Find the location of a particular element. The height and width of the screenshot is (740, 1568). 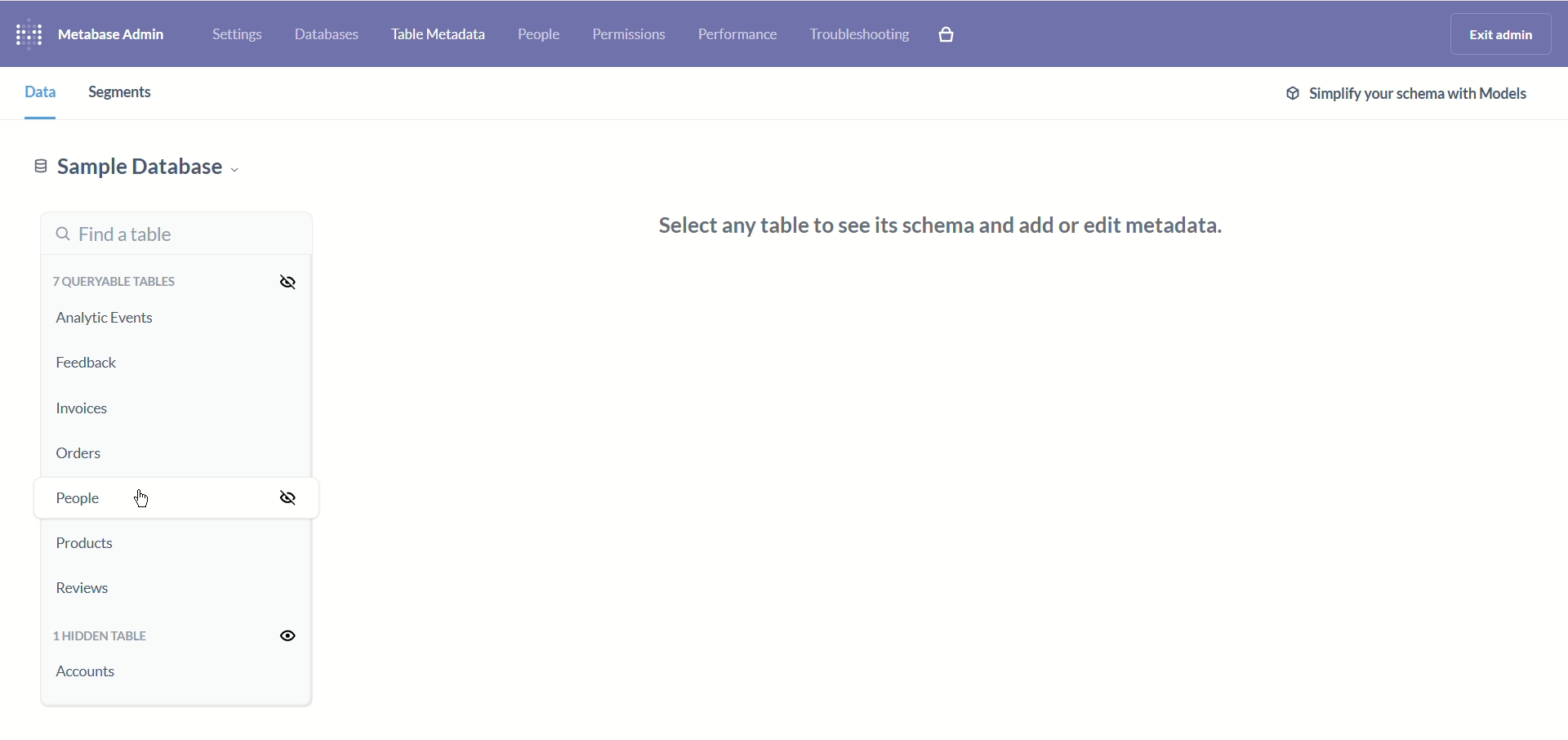

Find a table is located at coordinates (172, 234).